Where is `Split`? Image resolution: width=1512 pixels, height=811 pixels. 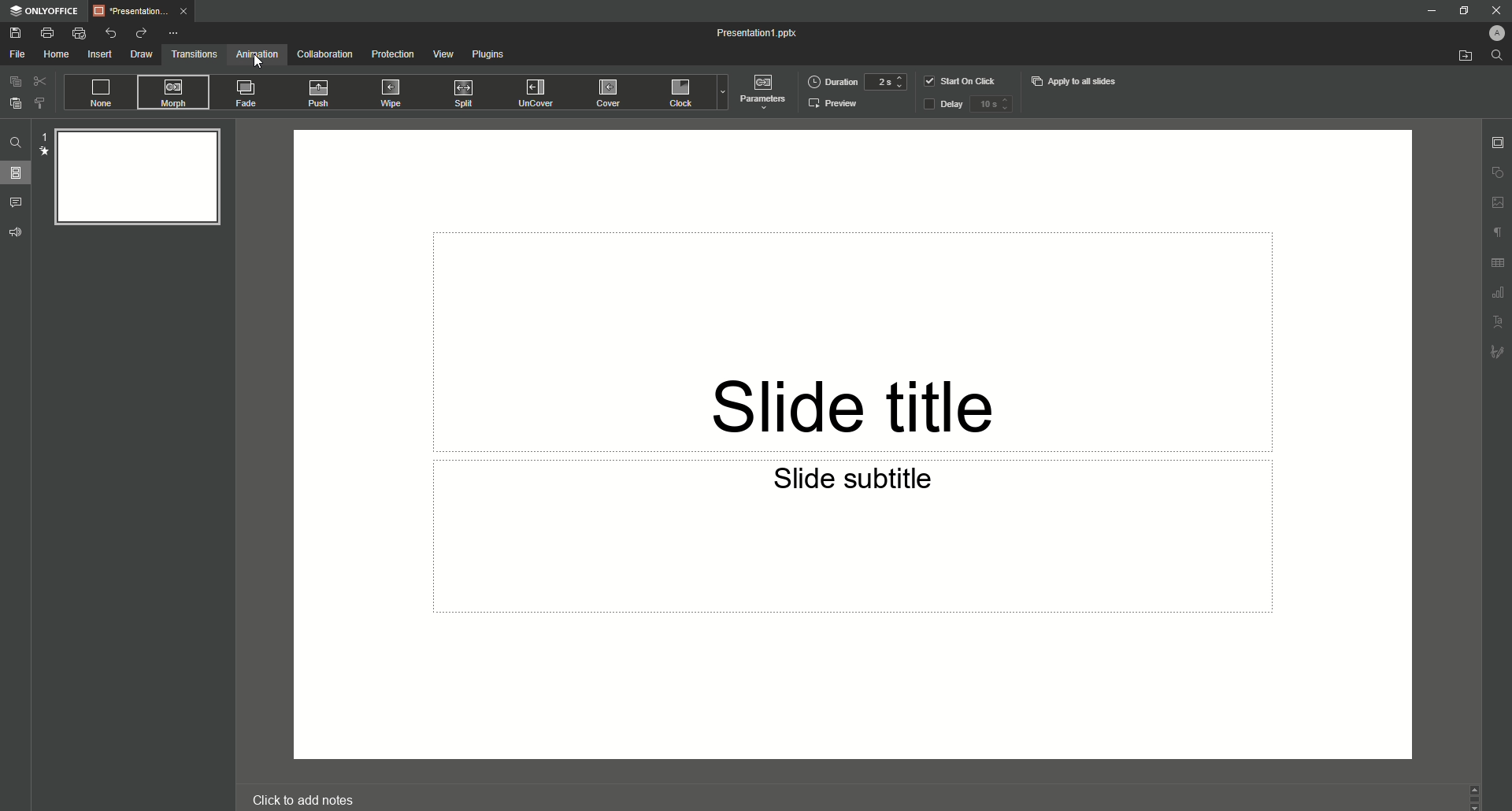
Split is located at coordinates (460, 94).